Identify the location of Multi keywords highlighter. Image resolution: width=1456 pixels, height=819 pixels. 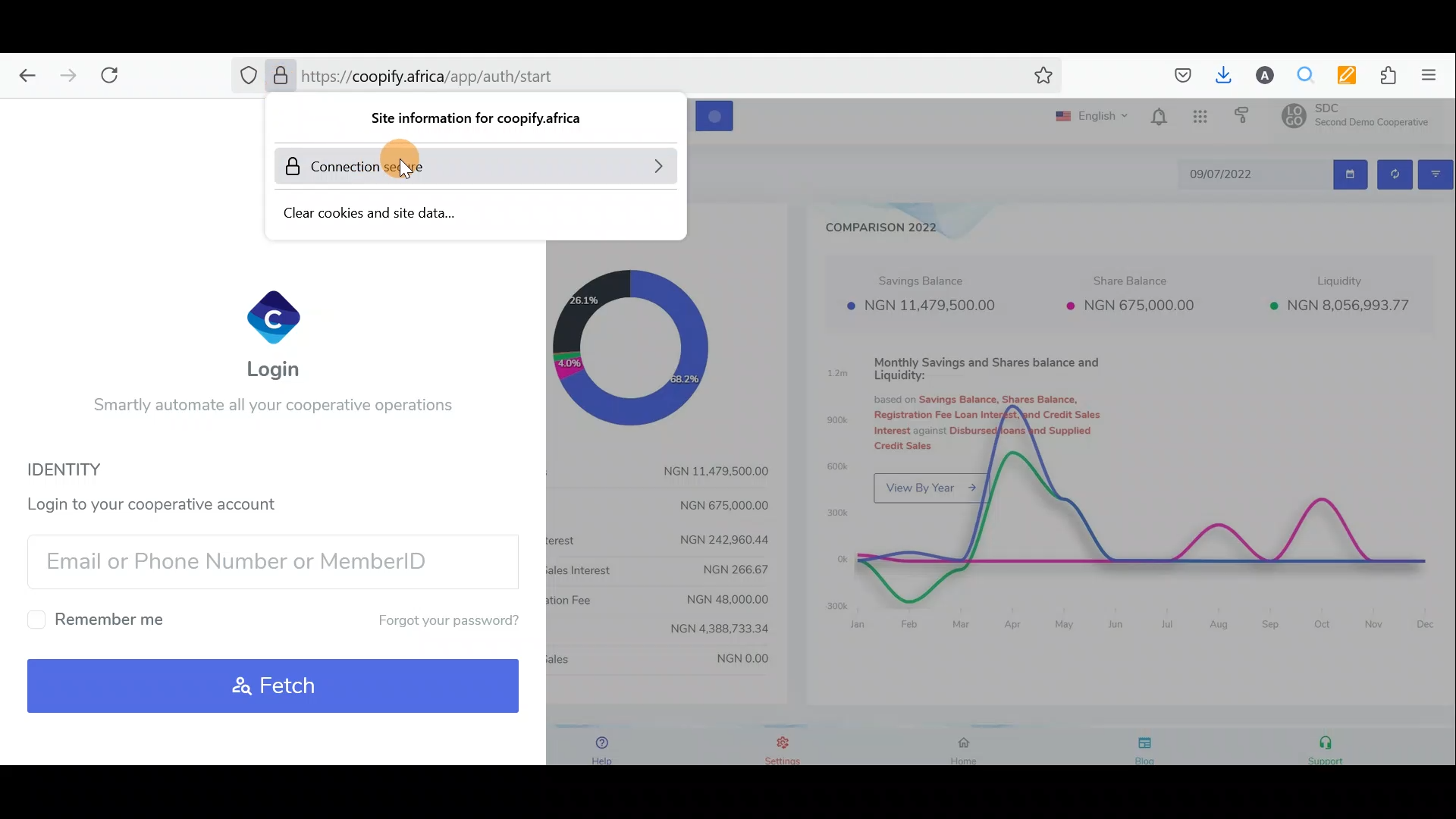
(1340, 75).